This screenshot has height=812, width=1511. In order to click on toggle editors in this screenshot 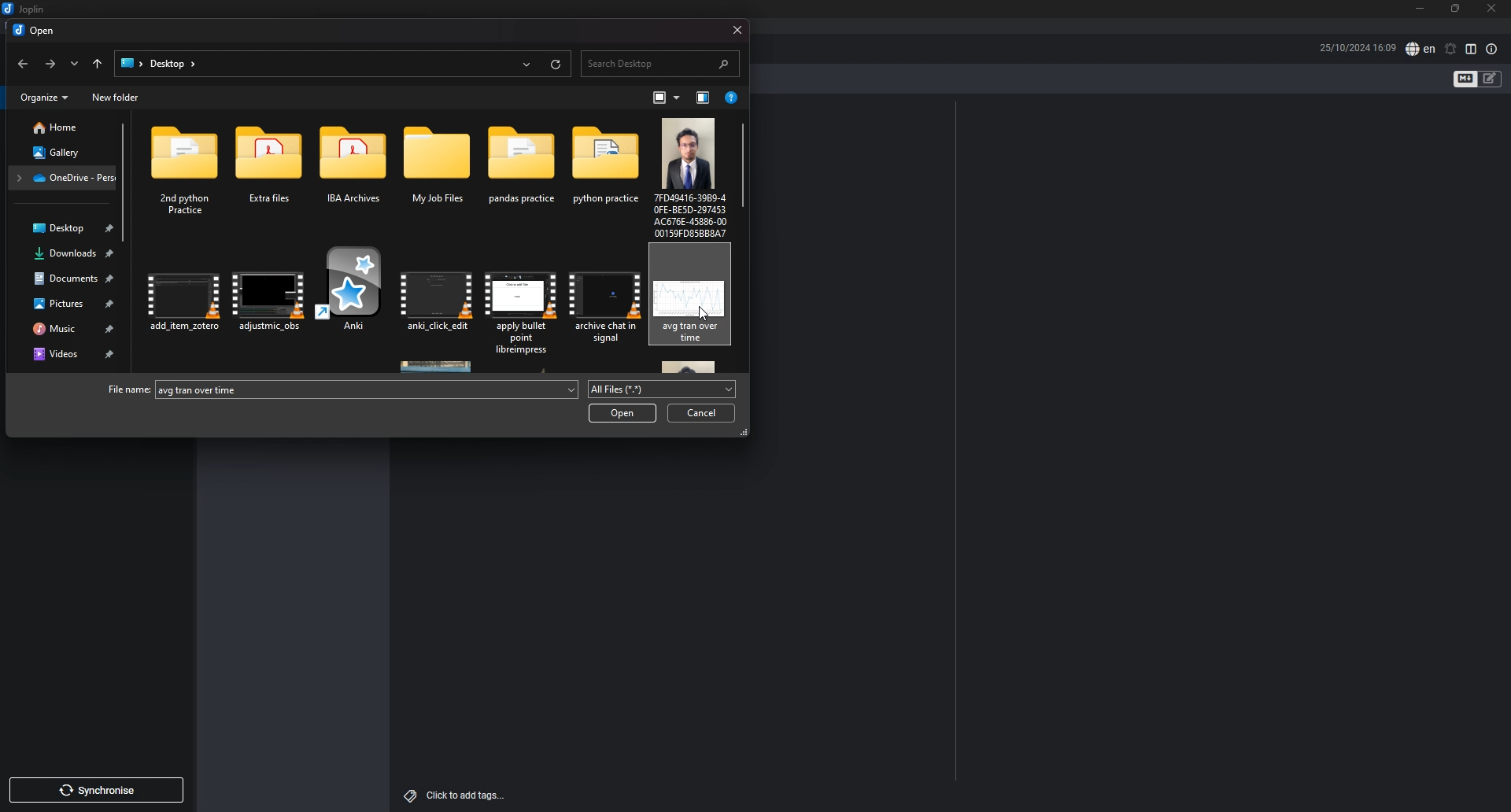, I will do `click(1465, 79)`.